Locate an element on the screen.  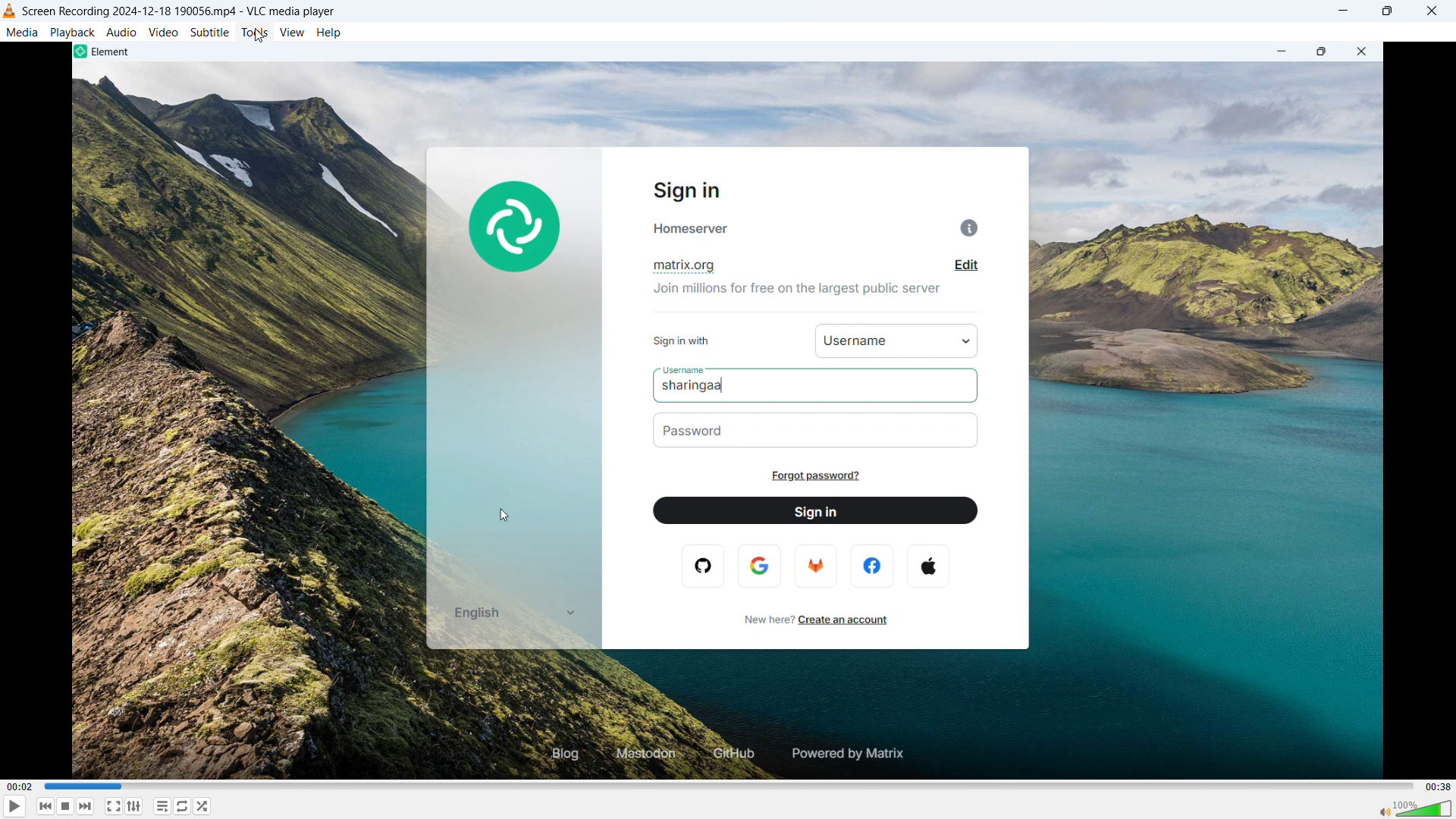
homeserver is located at coordinates (691, 230).